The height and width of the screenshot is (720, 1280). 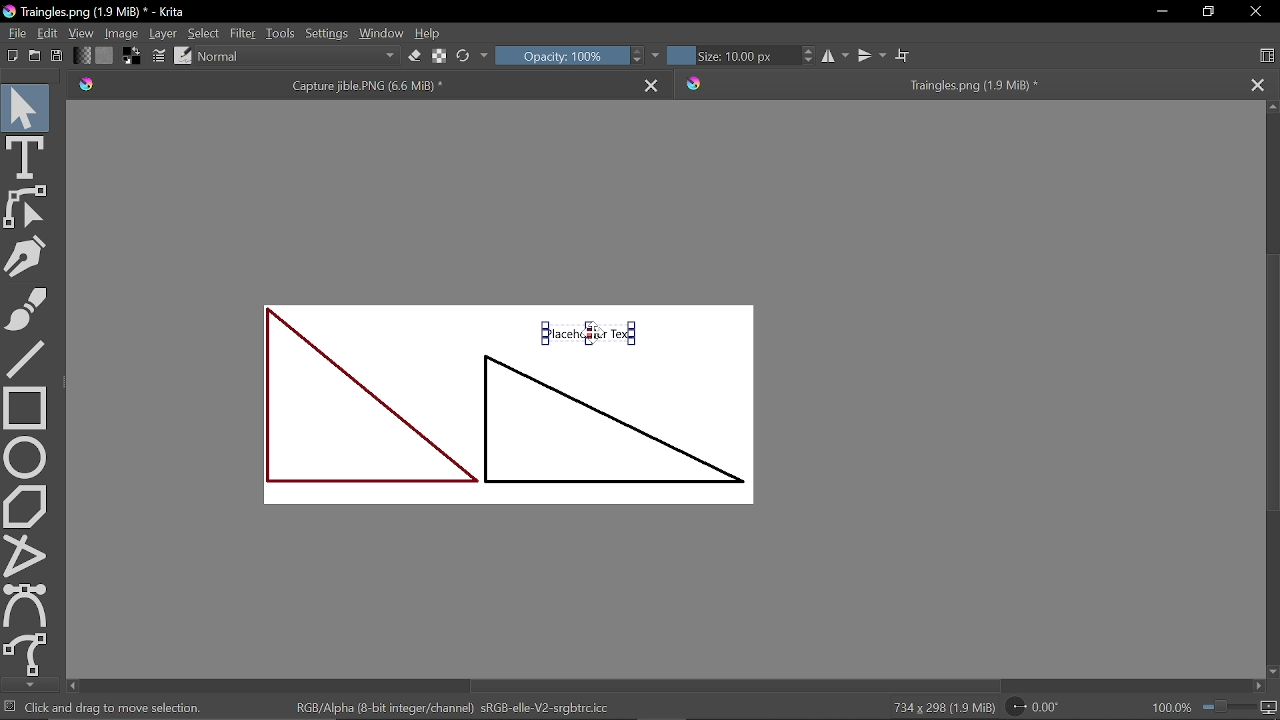 What do you see at coordinates (116, 707) in the screenshot?
I see `Click and drag to move selection.` at bounding box center [116, 707].